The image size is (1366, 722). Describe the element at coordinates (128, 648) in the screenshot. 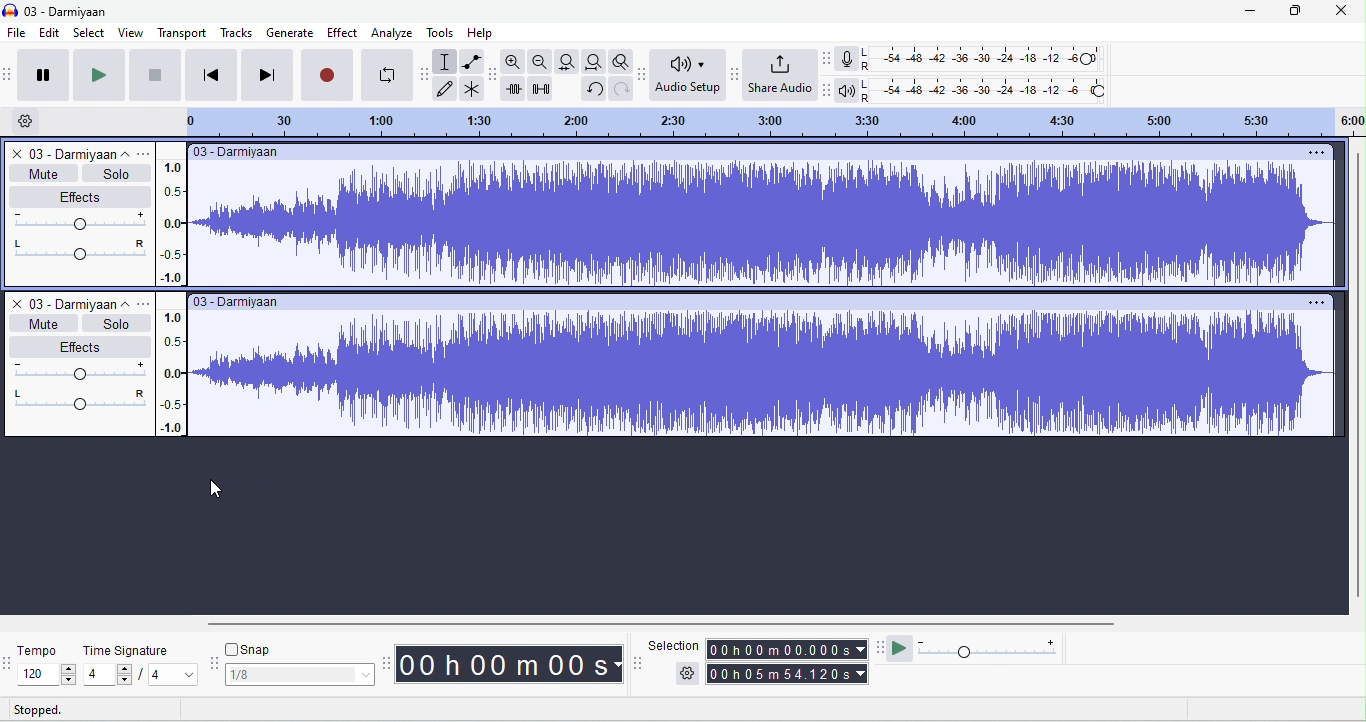

I see `time signature` at that location.